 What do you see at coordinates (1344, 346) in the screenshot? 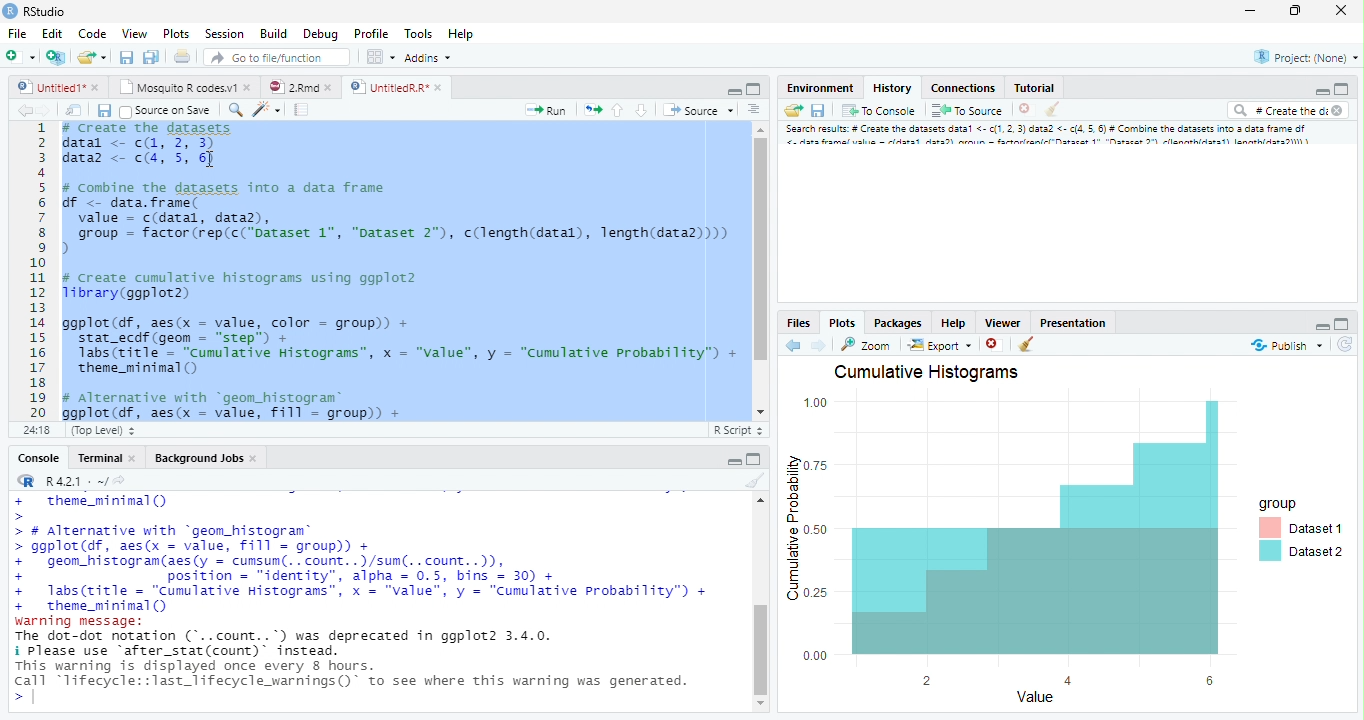
I see `Revert` at bounding box center [1344, 346].